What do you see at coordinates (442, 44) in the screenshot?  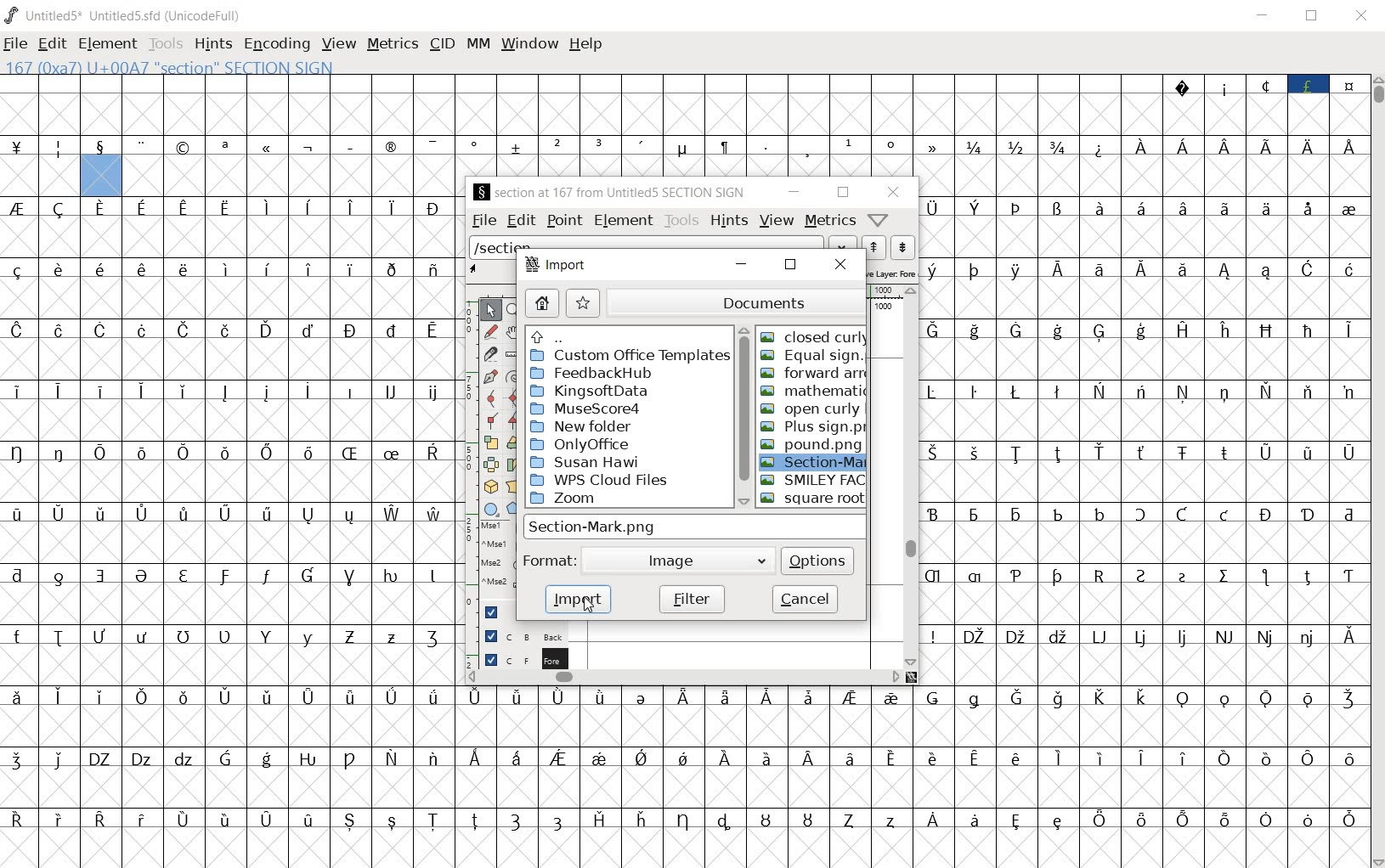 I see `CID` at bounding box center [442, 44].